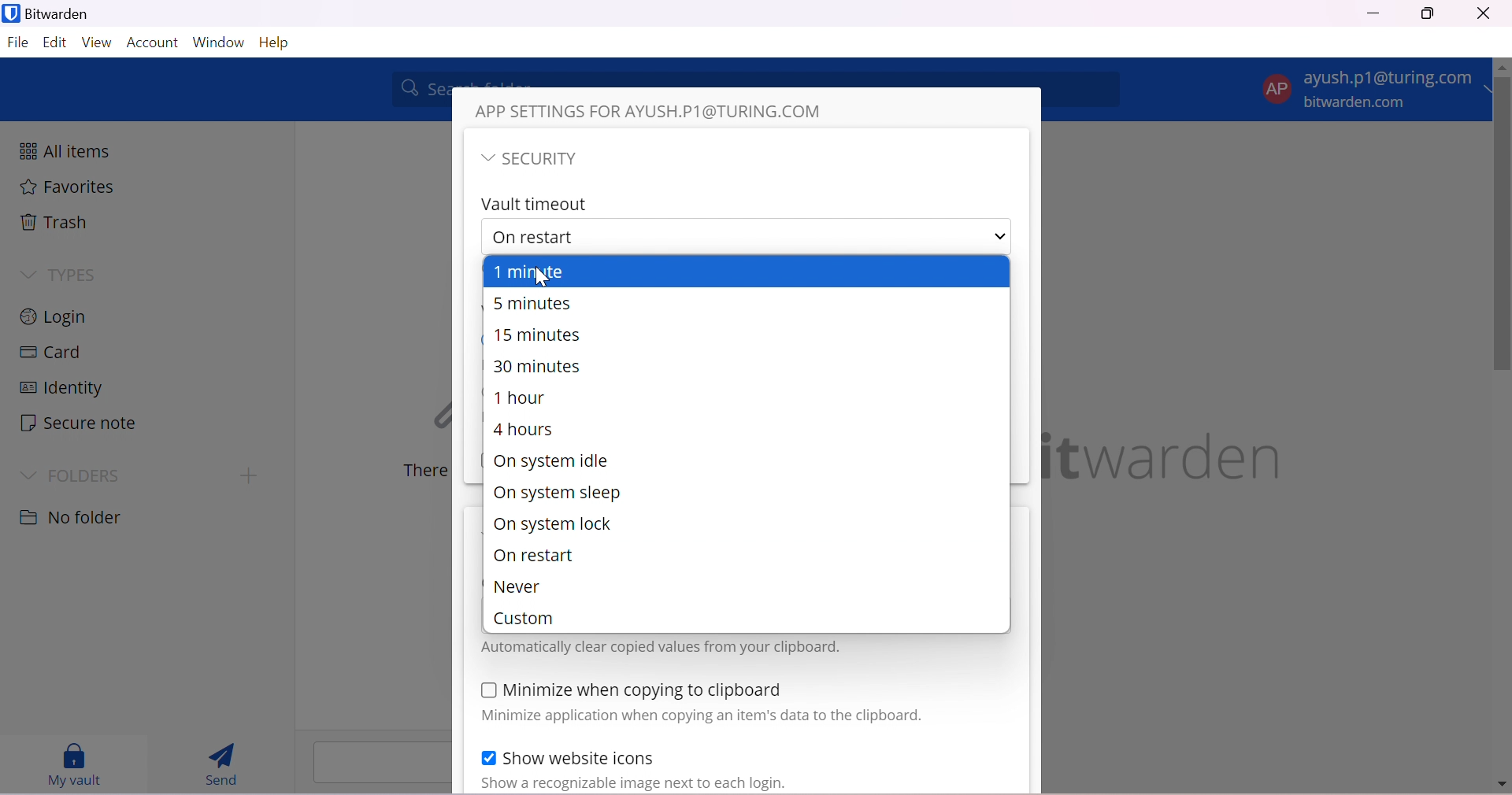  I want to click on Custom, so click(530, 619).